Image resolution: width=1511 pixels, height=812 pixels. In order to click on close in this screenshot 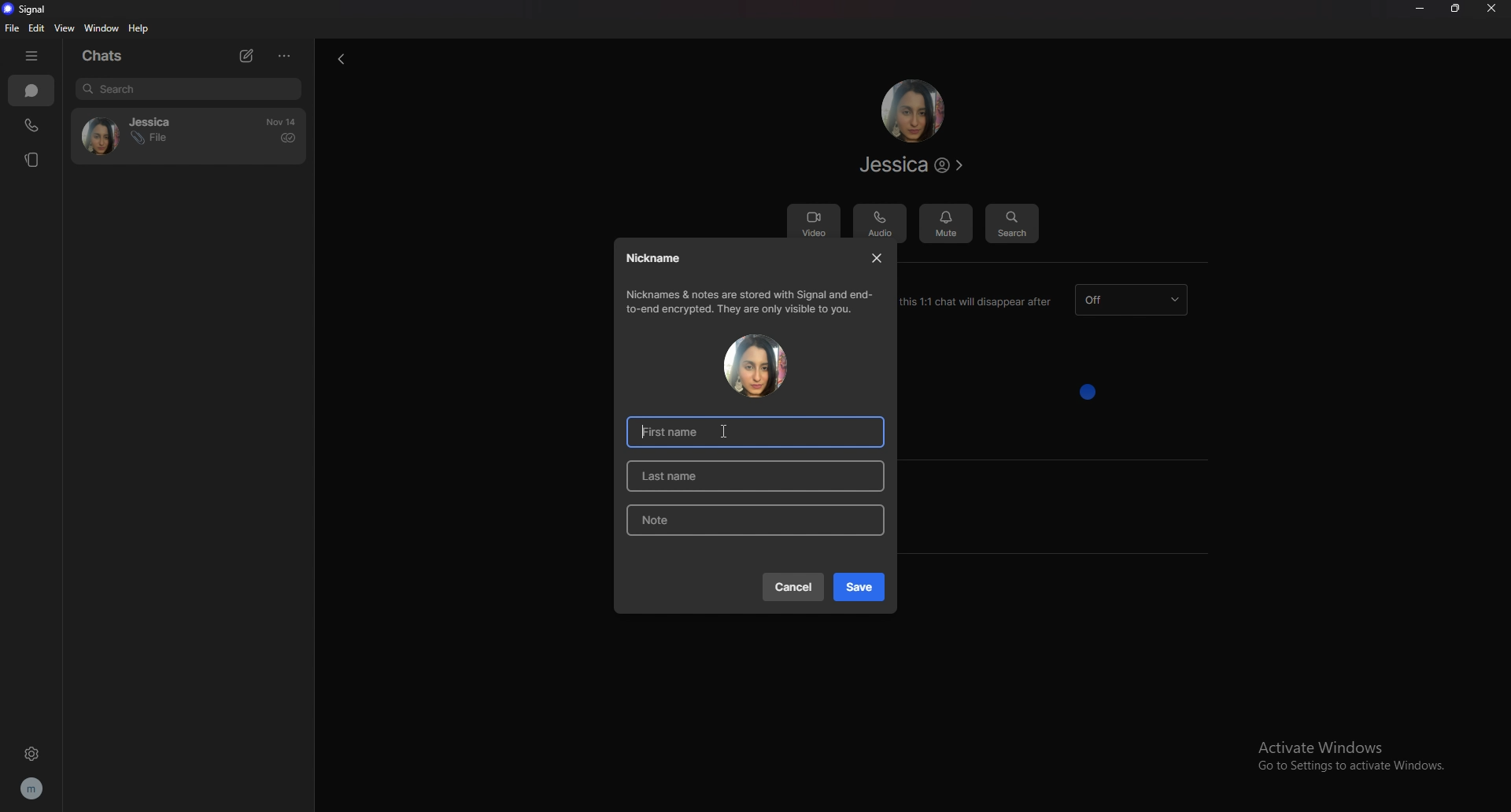, I will do `click(1494, 9)`.